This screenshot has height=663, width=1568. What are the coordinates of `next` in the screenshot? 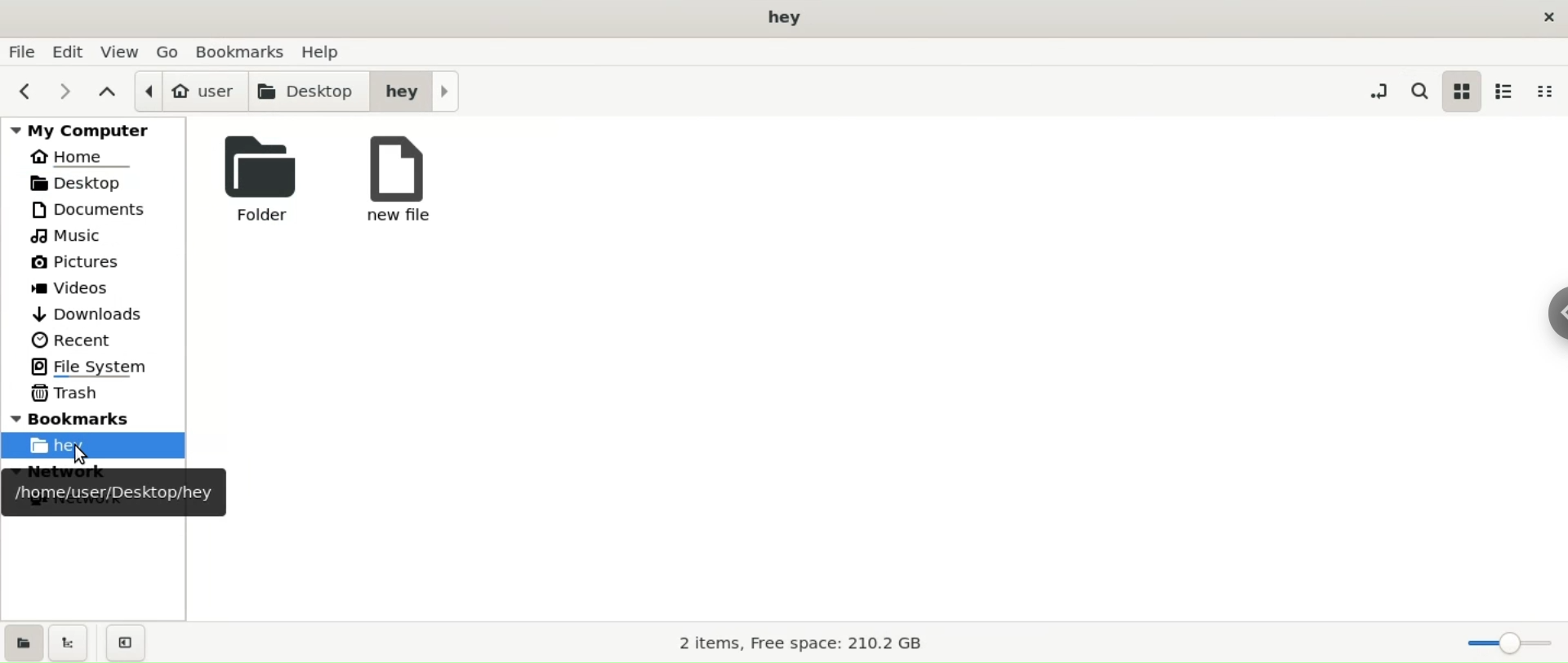 It's located at (69, 90).